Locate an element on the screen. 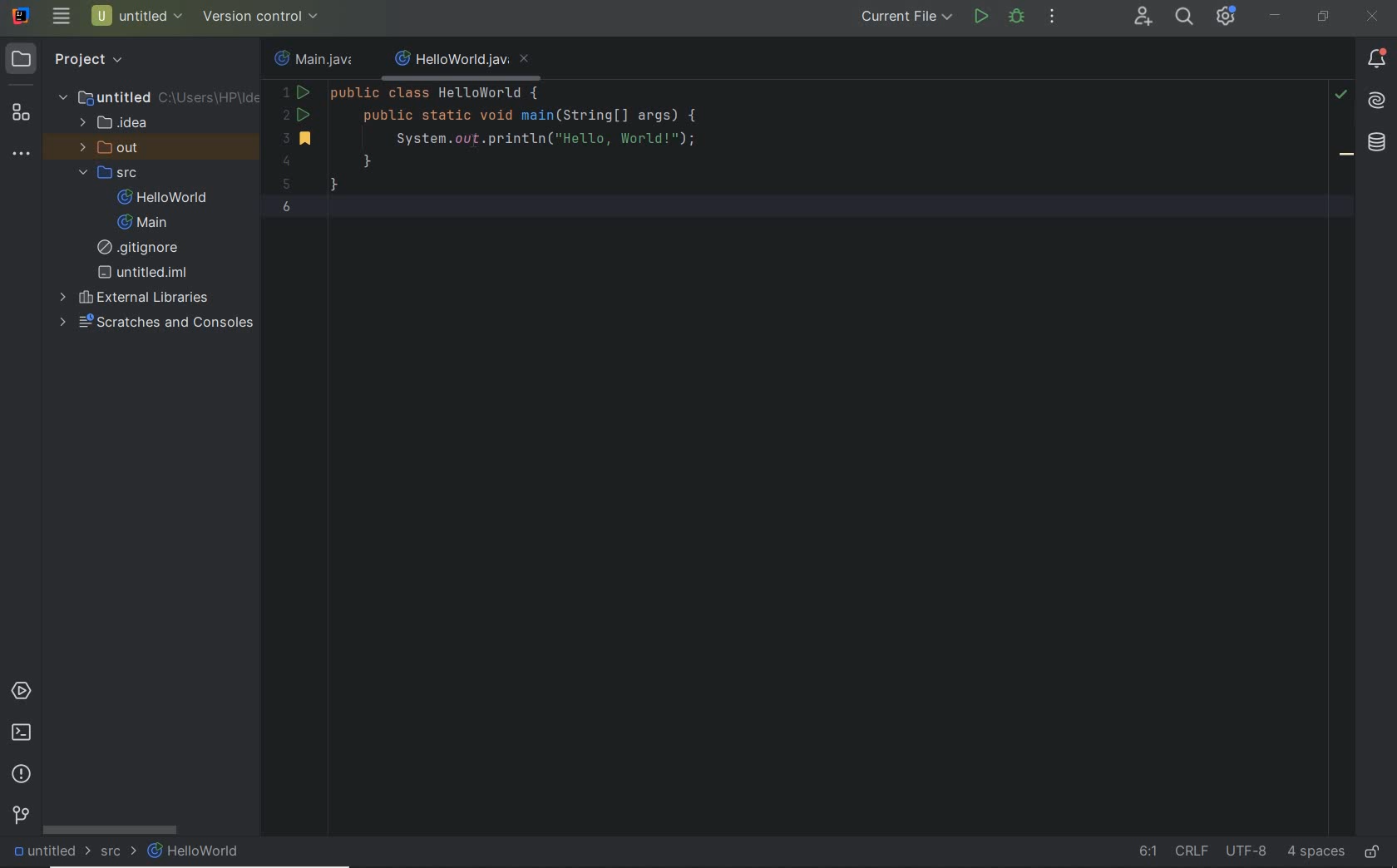  .gitignore is located at coordinates (144, 248).